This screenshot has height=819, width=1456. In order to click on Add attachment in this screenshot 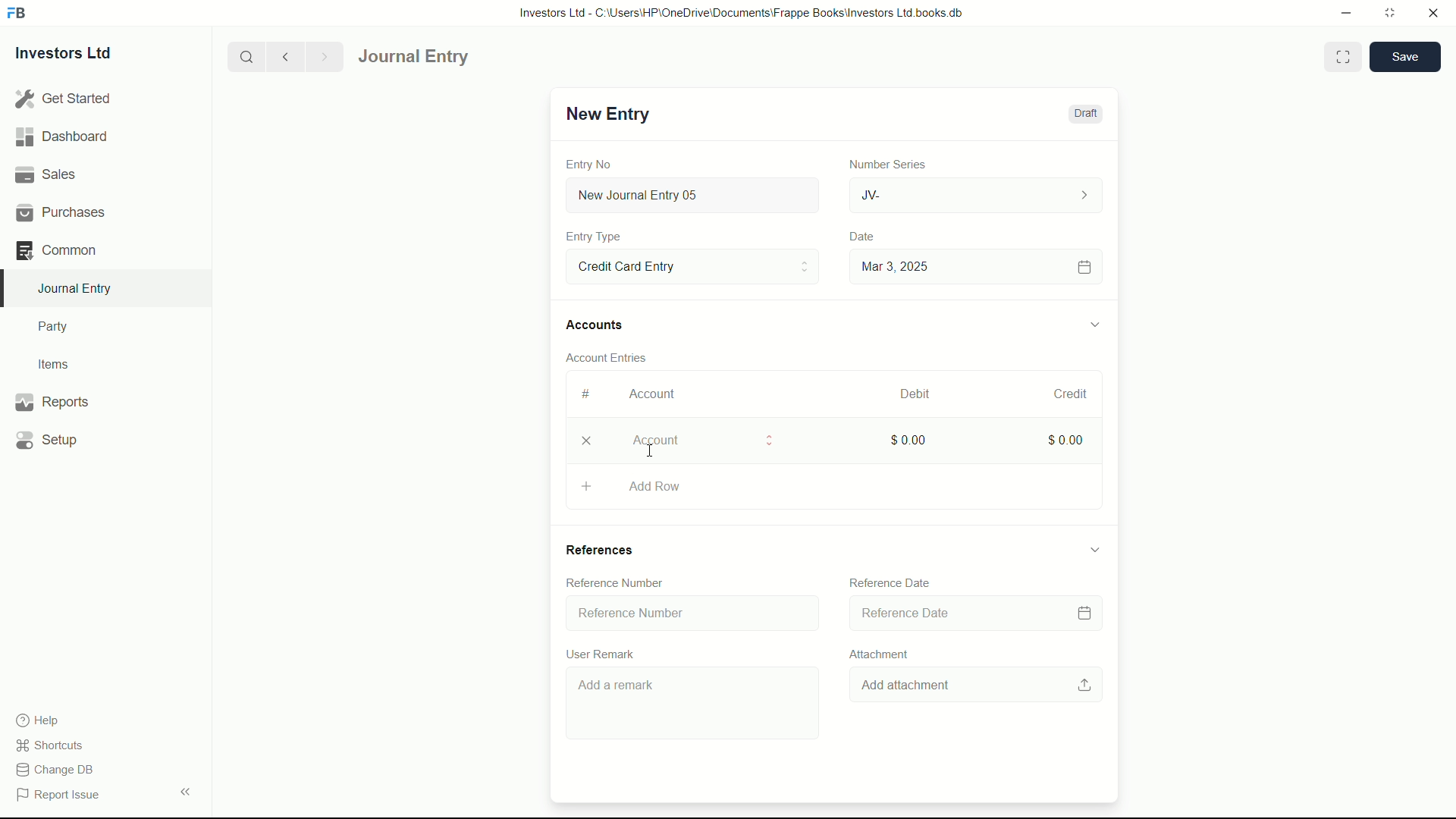, I will do `click(980, 684)`.